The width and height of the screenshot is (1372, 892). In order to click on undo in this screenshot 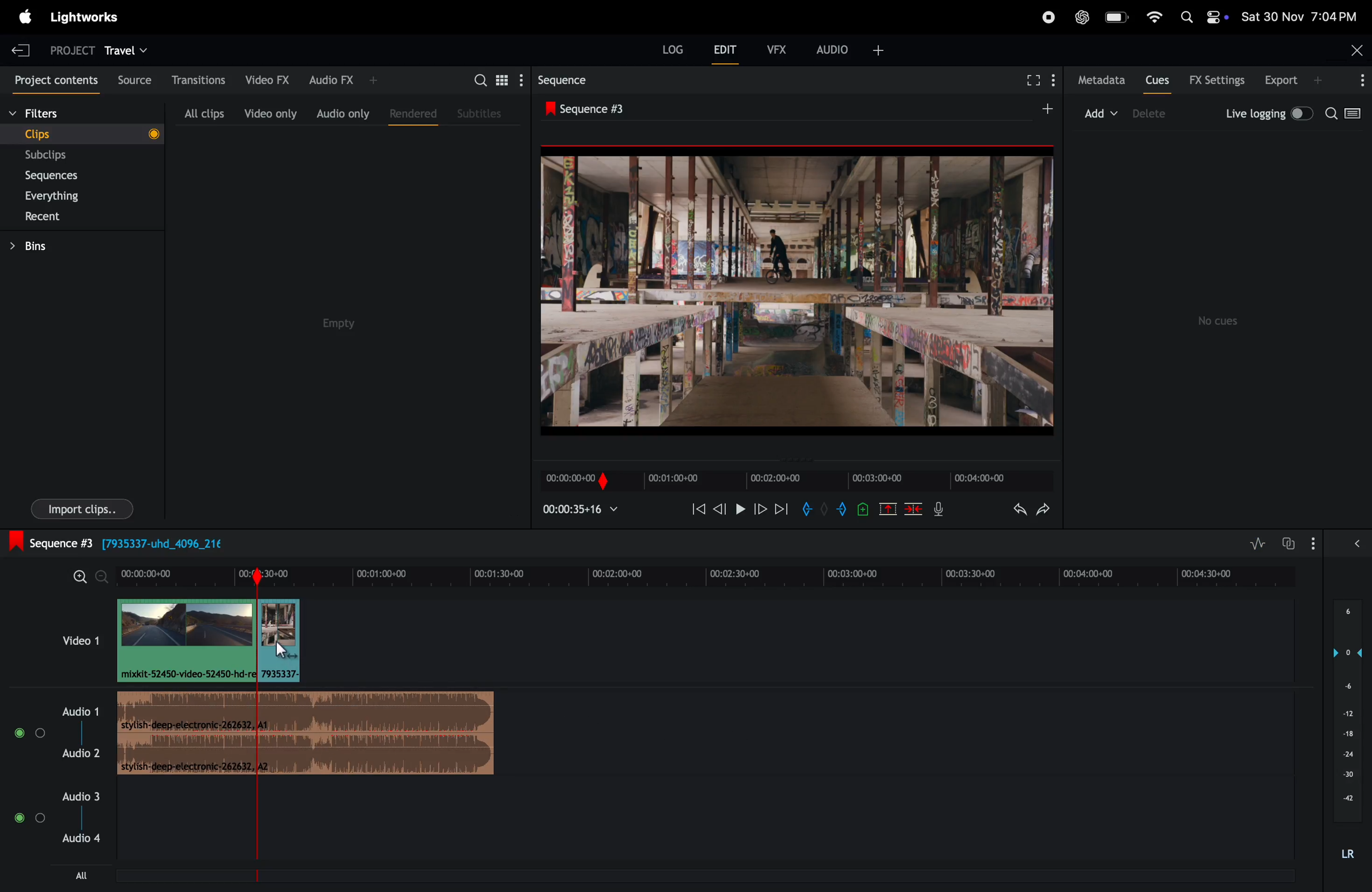, I will do `click(1011, 508)`.